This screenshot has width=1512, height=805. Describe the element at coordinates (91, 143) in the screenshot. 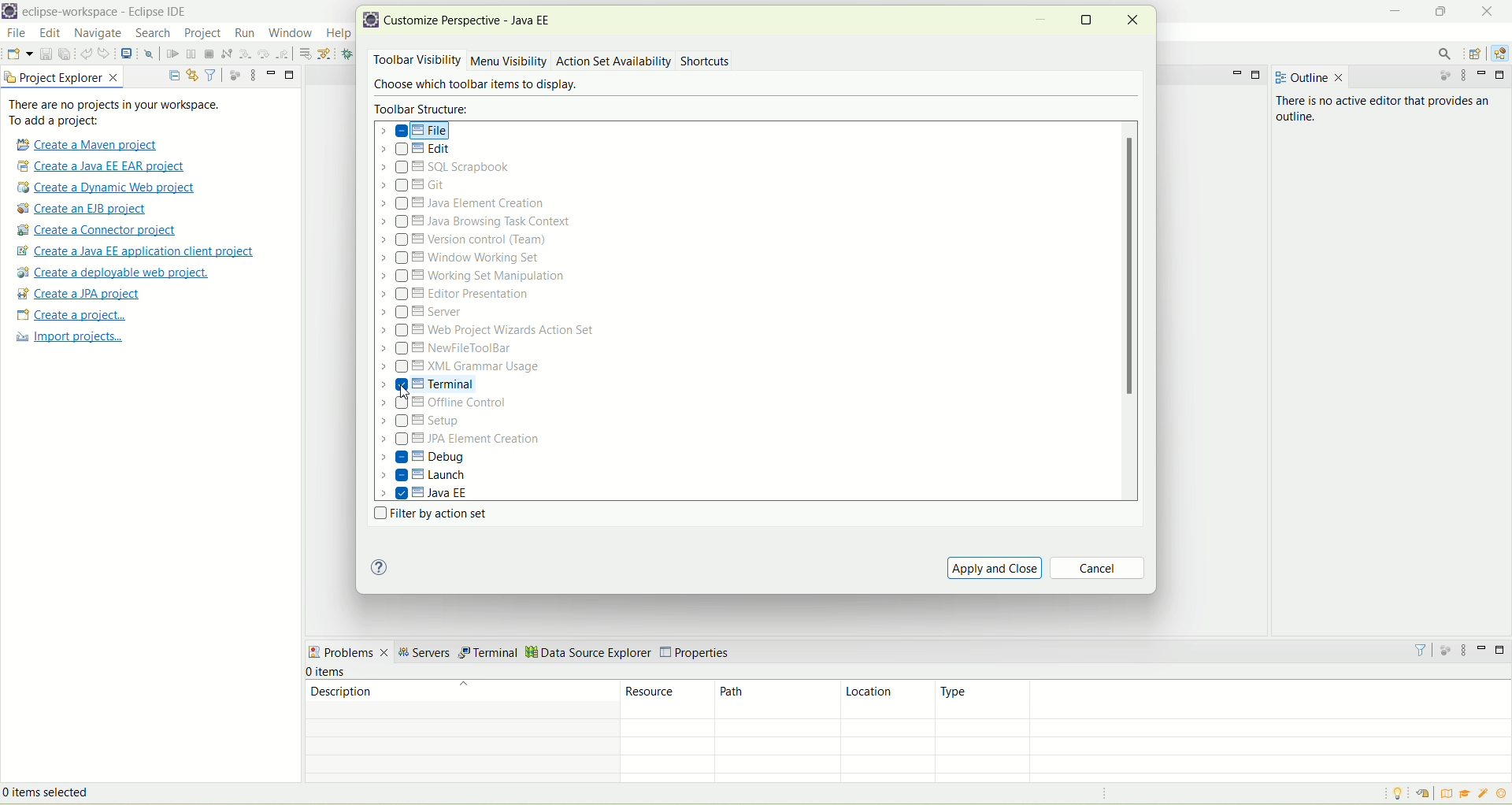

I see `create a Maven project` at that location.